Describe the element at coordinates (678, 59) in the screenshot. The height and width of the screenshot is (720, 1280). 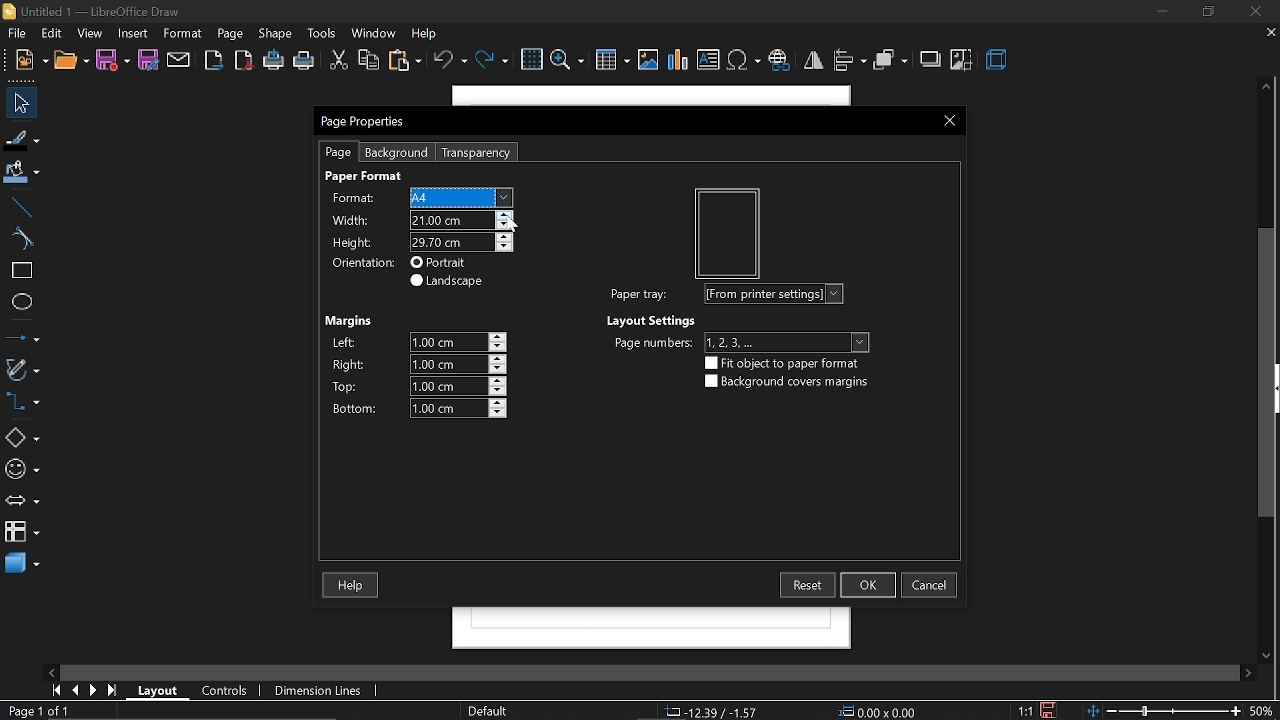
I see `insert chart` at that location.